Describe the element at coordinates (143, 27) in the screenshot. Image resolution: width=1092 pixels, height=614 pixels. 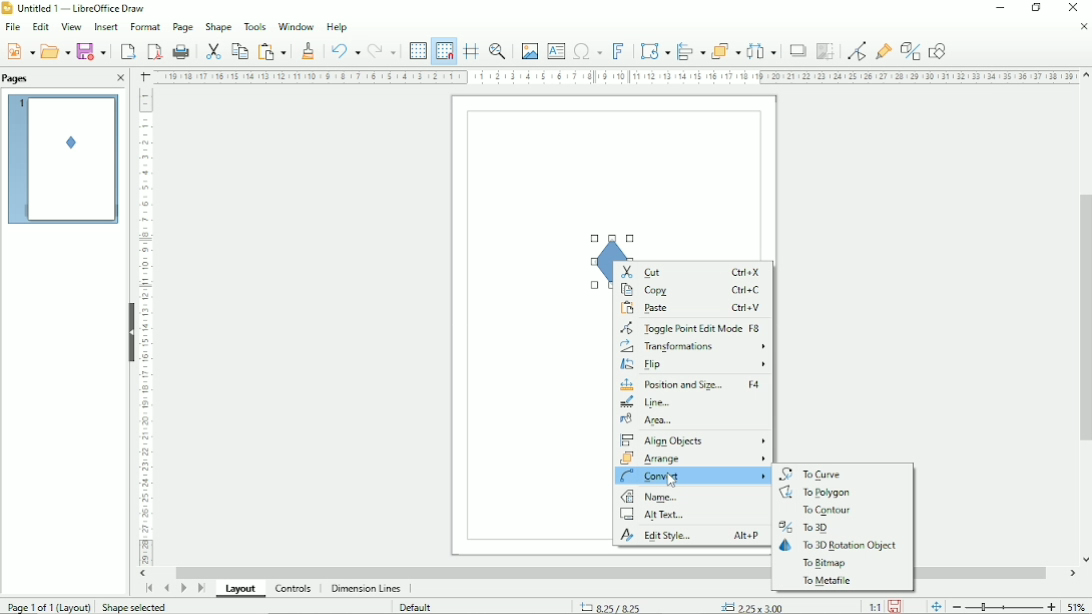
I see `Format` at that location.